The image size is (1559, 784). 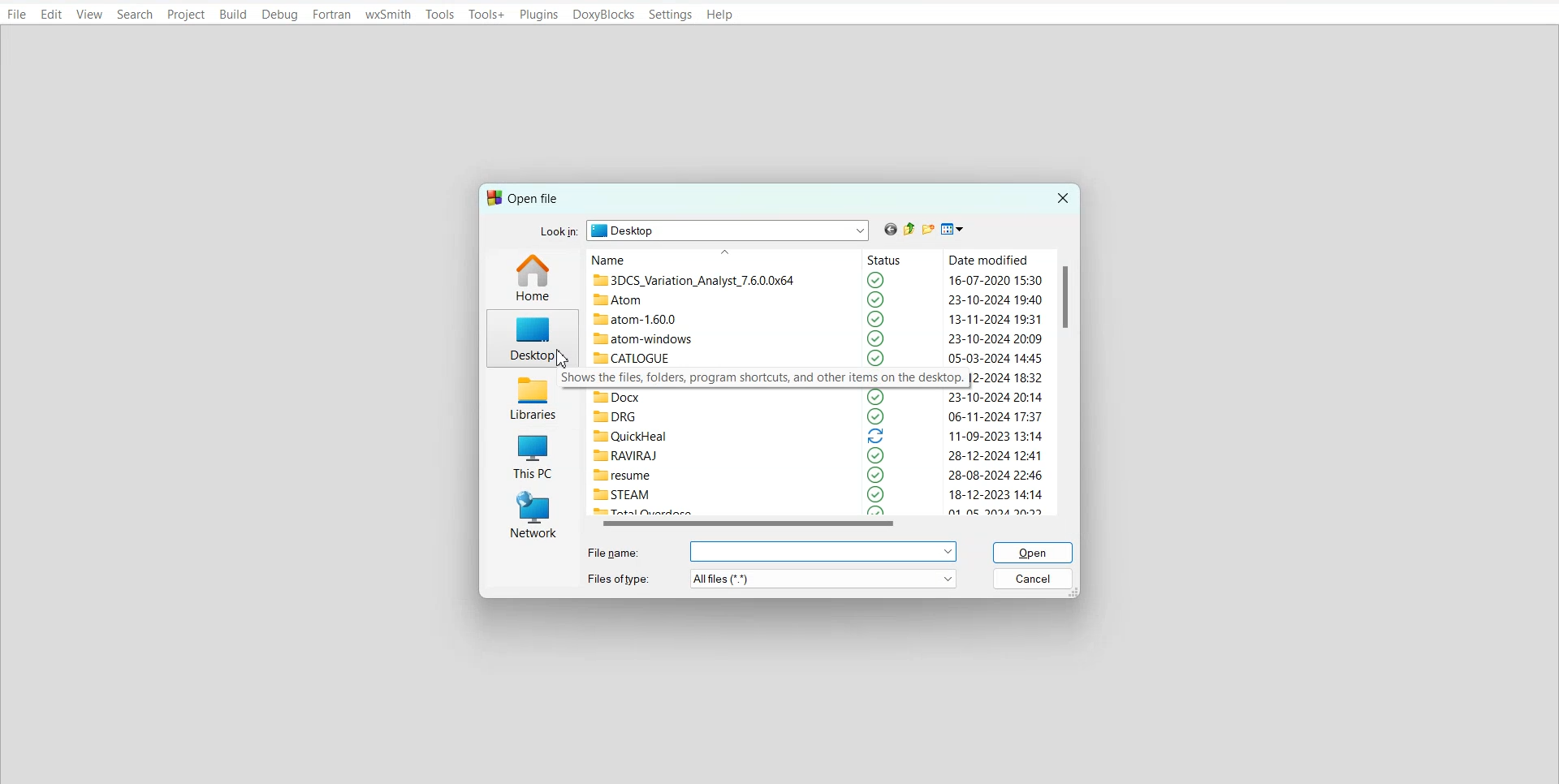 I want to click on File, so click(x=16, y=14).